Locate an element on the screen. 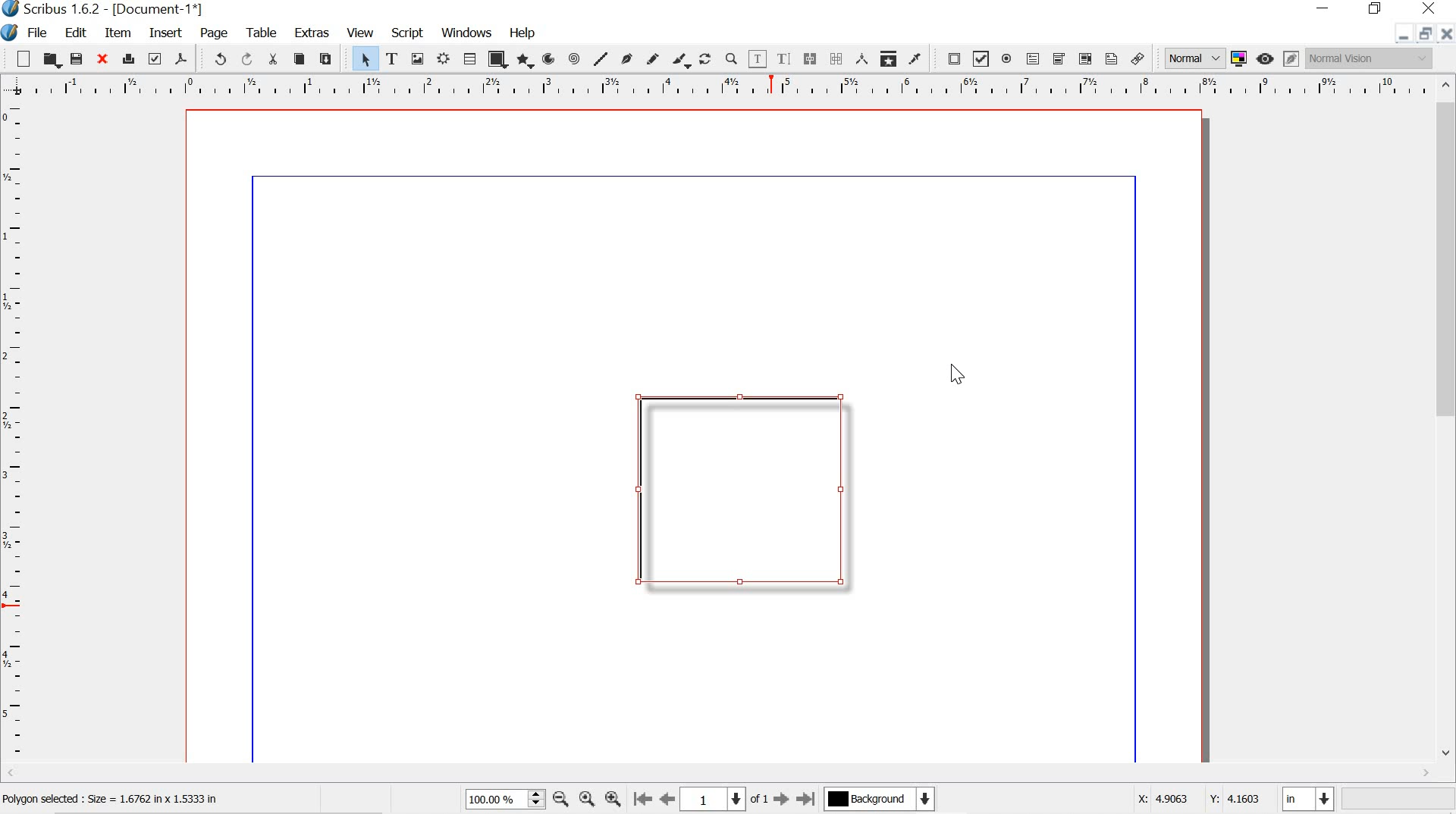 This screenshot has height=814, width=1456. HELP is located at coordinates (524, 31).